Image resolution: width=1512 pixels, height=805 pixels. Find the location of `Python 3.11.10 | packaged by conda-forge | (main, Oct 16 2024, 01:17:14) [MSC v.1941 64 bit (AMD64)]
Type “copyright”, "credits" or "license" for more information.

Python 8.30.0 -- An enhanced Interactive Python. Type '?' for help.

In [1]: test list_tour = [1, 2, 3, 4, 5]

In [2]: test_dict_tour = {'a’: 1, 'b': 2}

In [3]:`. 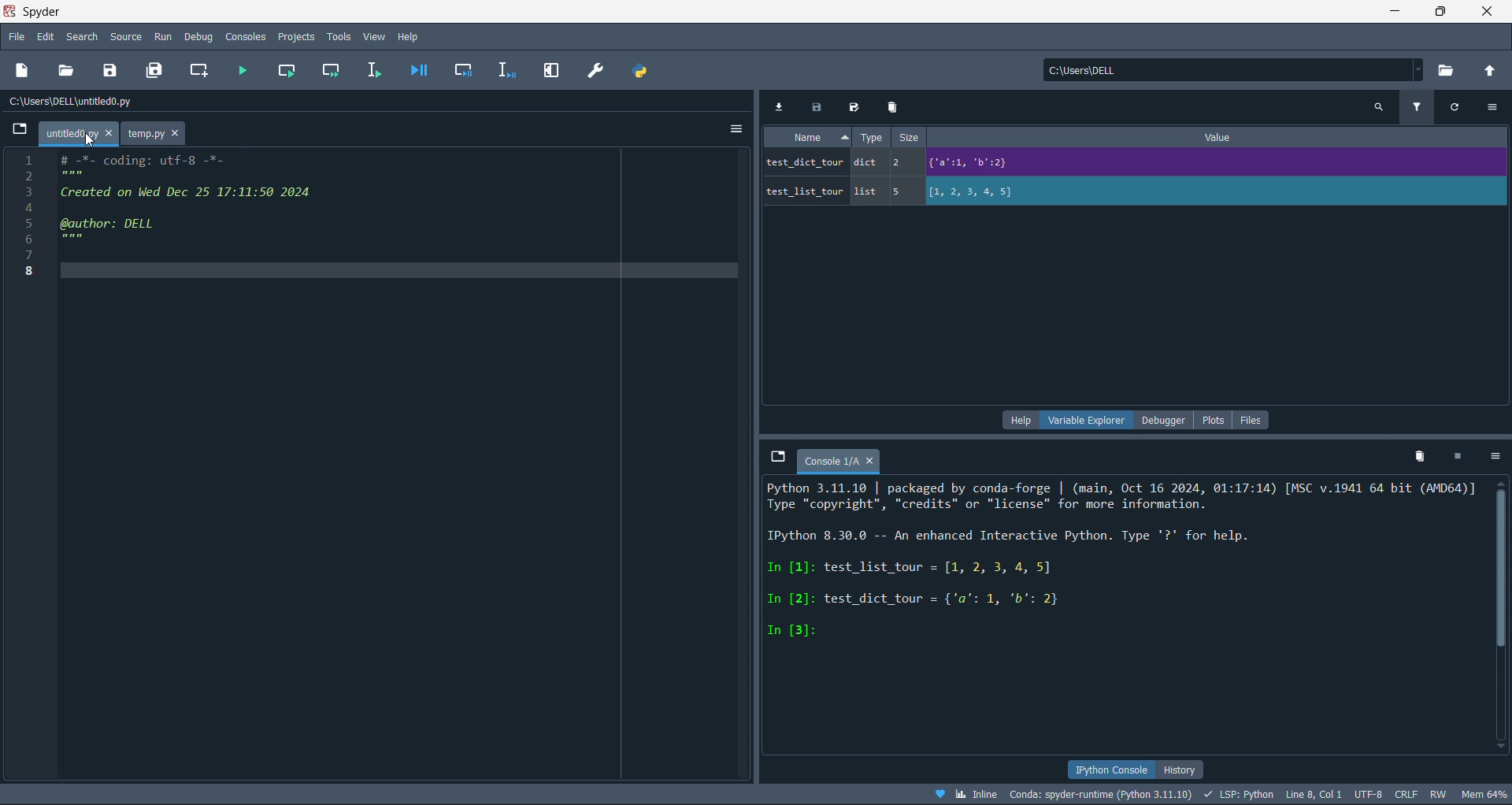

Python 3.11.10 | packaged by conda-forge | (main, Oct 16 2024, 01:17:14) [MSC v.1941 64 bit (AMD64)]
Type “copyright”, "credits" or "license" for more information.

Python 8.30.0 -- An enhanced Interactive Python. Type '?' for help.

In [1]: test list_tour = [1, 2, 3, 4, 5]

In [2]: test_dict_tour = {'a’: 1, 'b': 2}

In [3]: is located at coordinates (1120, 561).